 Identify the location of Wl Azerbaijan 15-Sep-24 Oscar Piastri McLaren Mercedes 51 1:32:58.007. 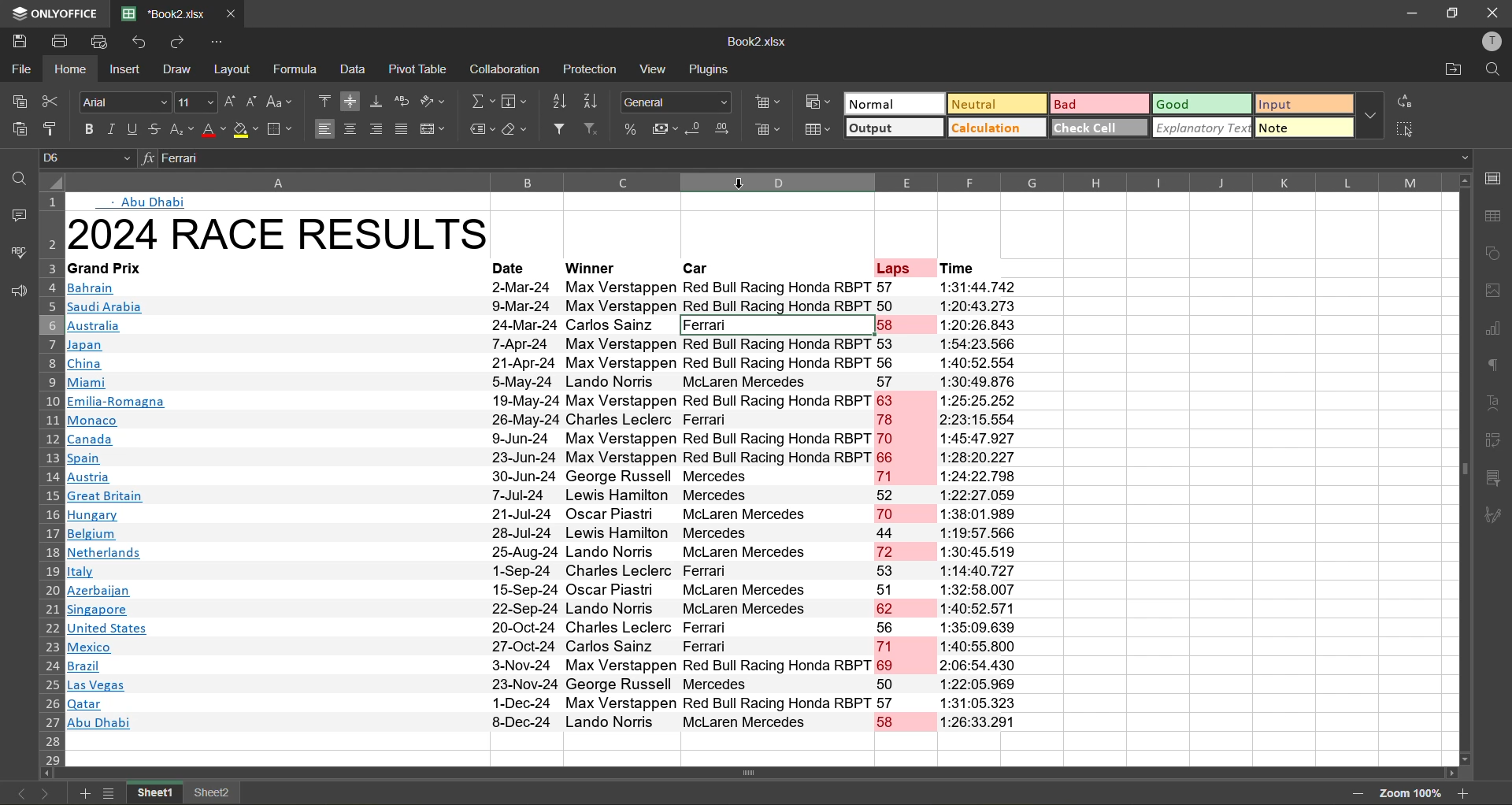
(545, 589).